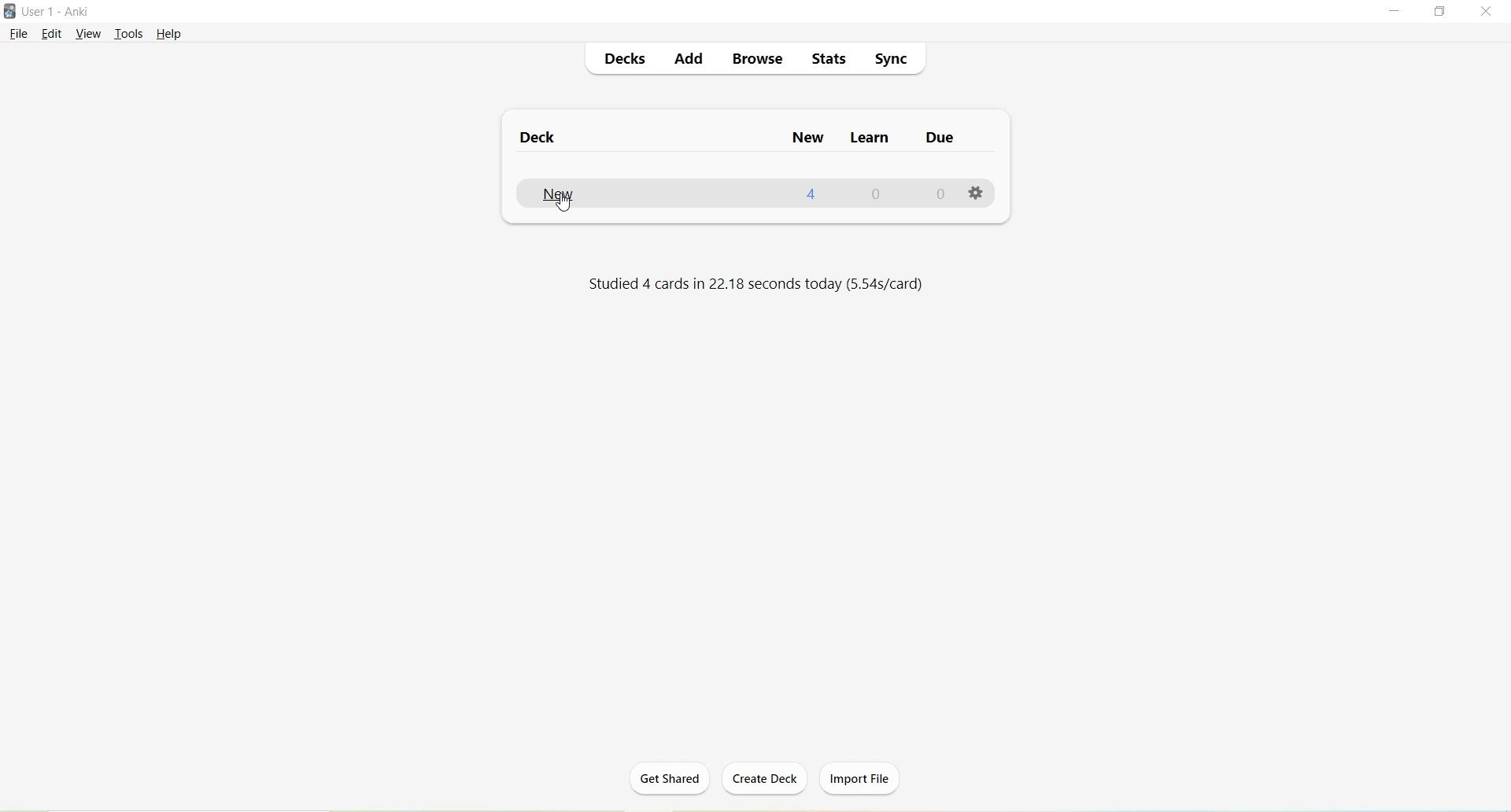 The image size is (1511, 812). Describe the element at coordinates (858, 780) in the screenshot. I see `Import file` at that location.